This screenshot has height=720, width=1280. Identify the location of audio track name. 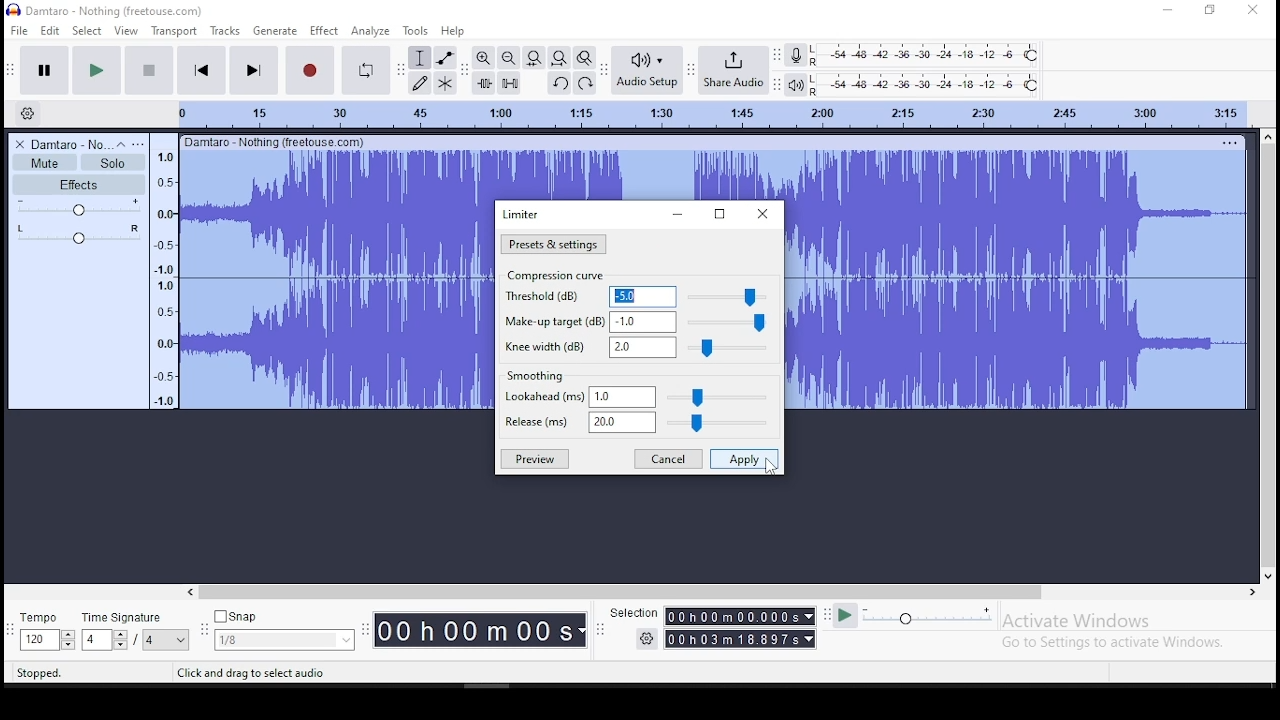
(66, 143).